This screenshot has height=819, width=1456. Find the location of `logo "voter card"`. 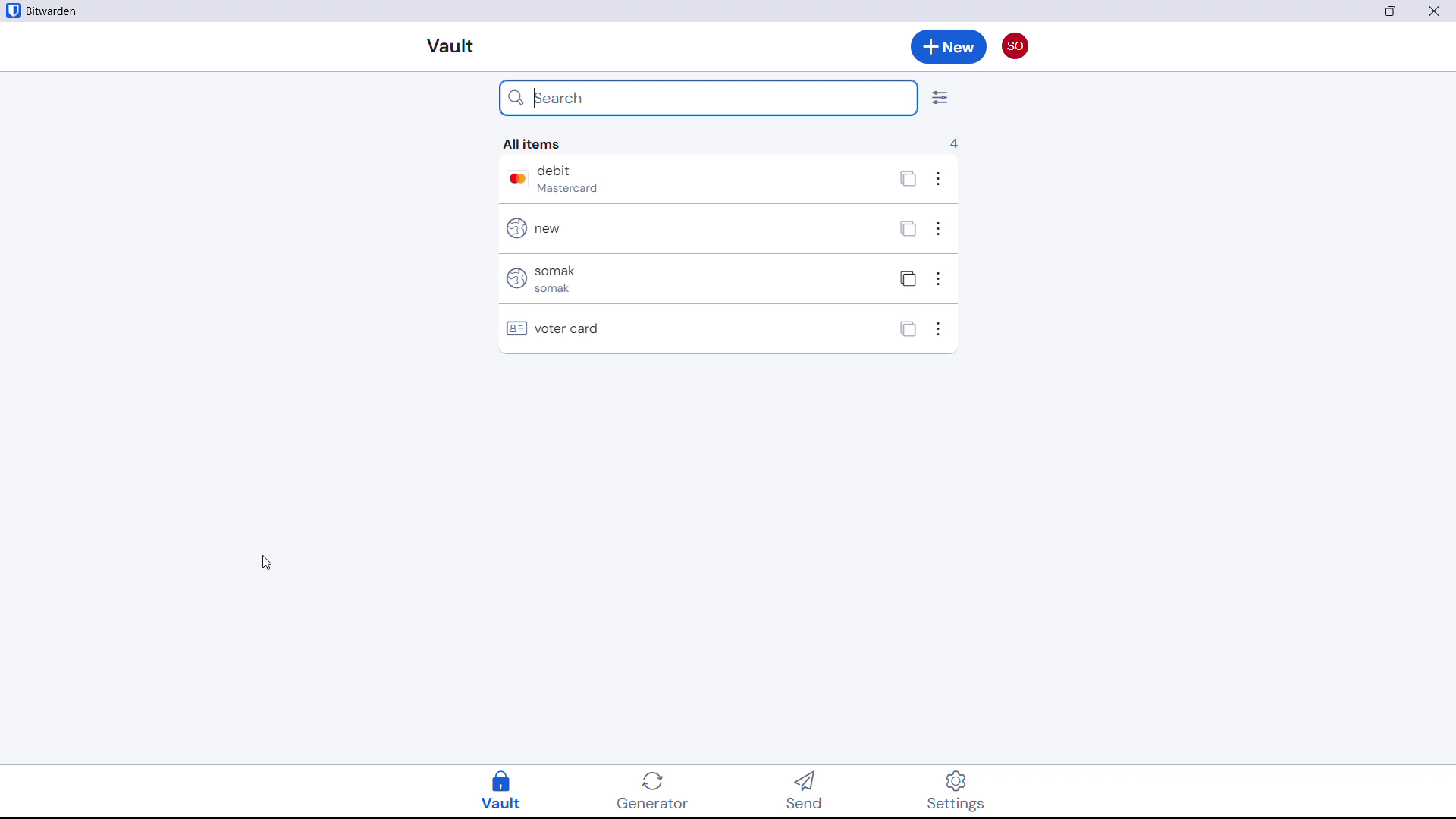

logo "voter card" is located at coordinates (517, 328).